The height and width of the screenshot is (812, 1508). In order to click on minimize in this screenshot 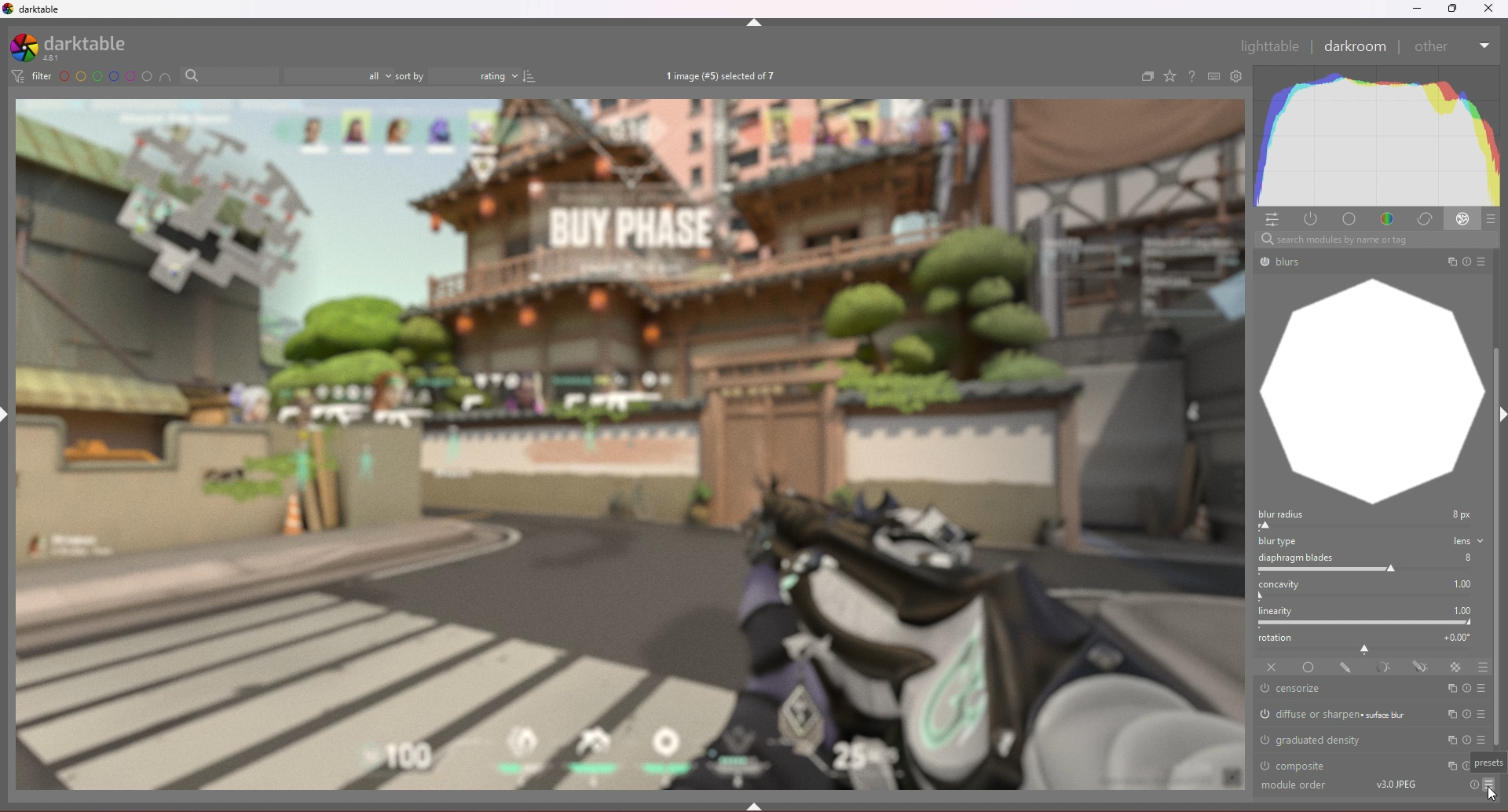, I will do `click(1417, 9)`.